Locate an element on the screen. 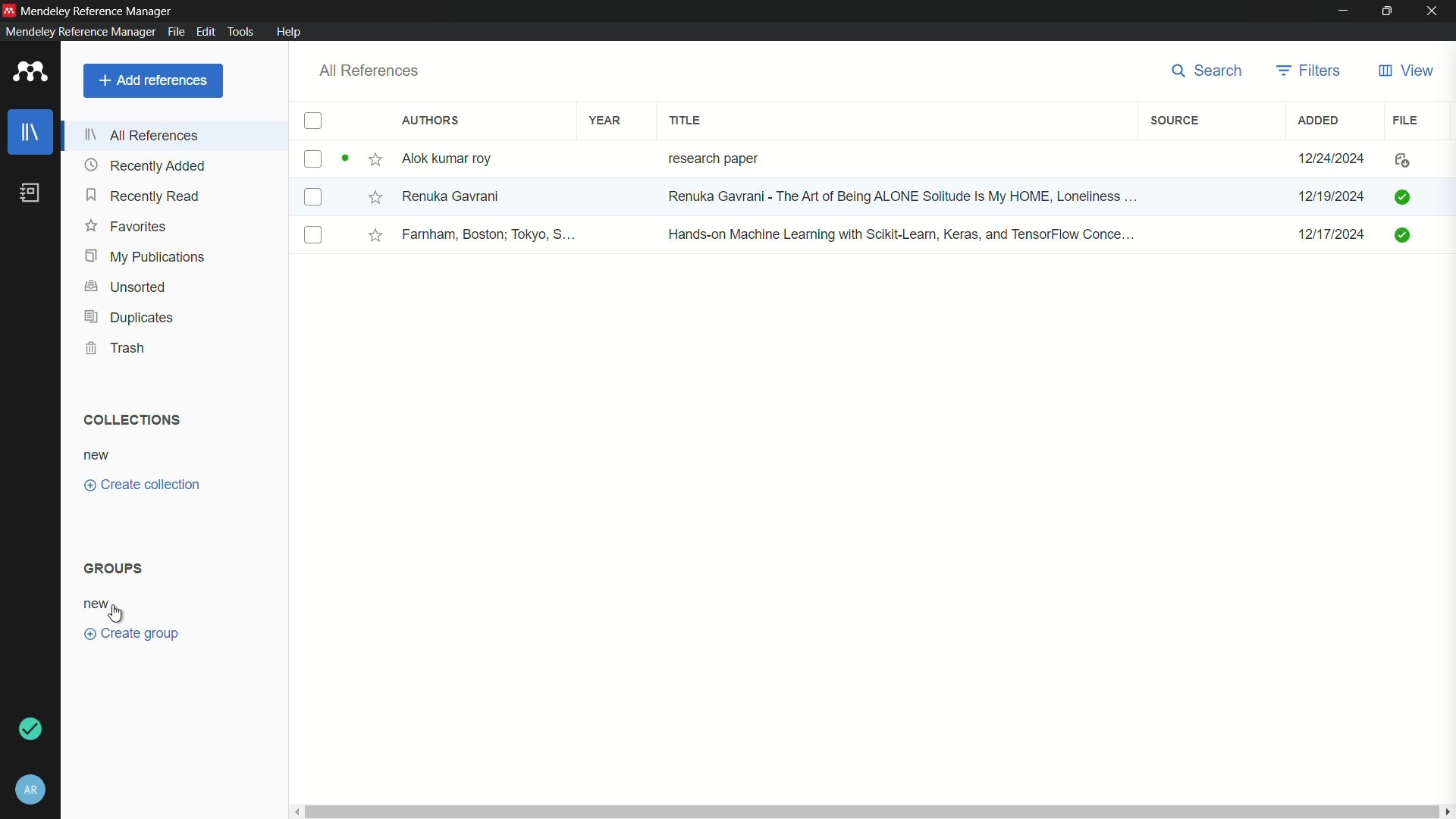  reserach paper is located at coordinates (710, 155).